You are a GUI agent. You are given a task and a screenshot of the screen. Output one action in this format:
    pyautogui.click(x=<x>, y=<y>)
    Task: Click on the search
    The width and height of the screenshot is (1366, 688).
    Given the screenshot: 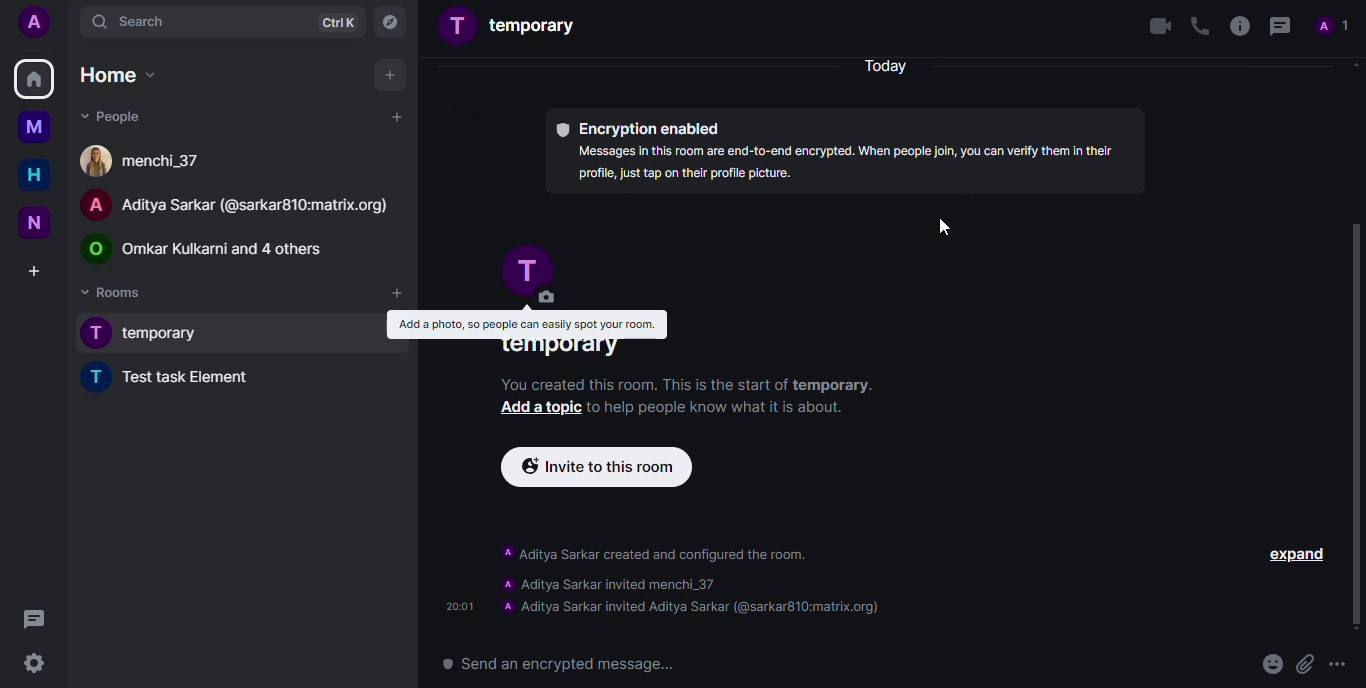 What is the action you would take?
    pyautogui.click(x=133, y=23)
    